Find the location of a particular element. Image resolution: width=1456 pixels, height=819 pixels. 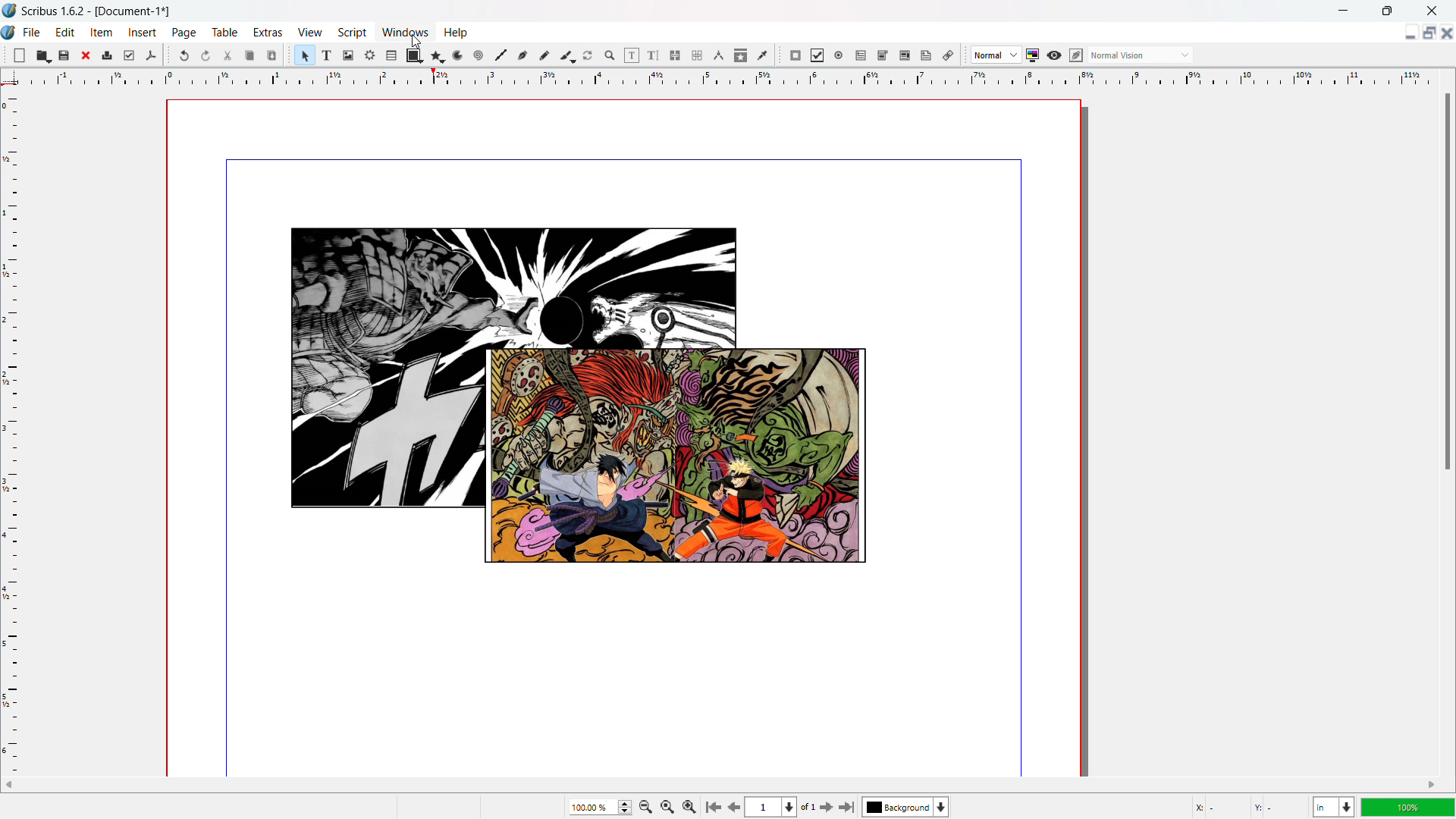

edit text with story editor is located at coordinates (654, 55).